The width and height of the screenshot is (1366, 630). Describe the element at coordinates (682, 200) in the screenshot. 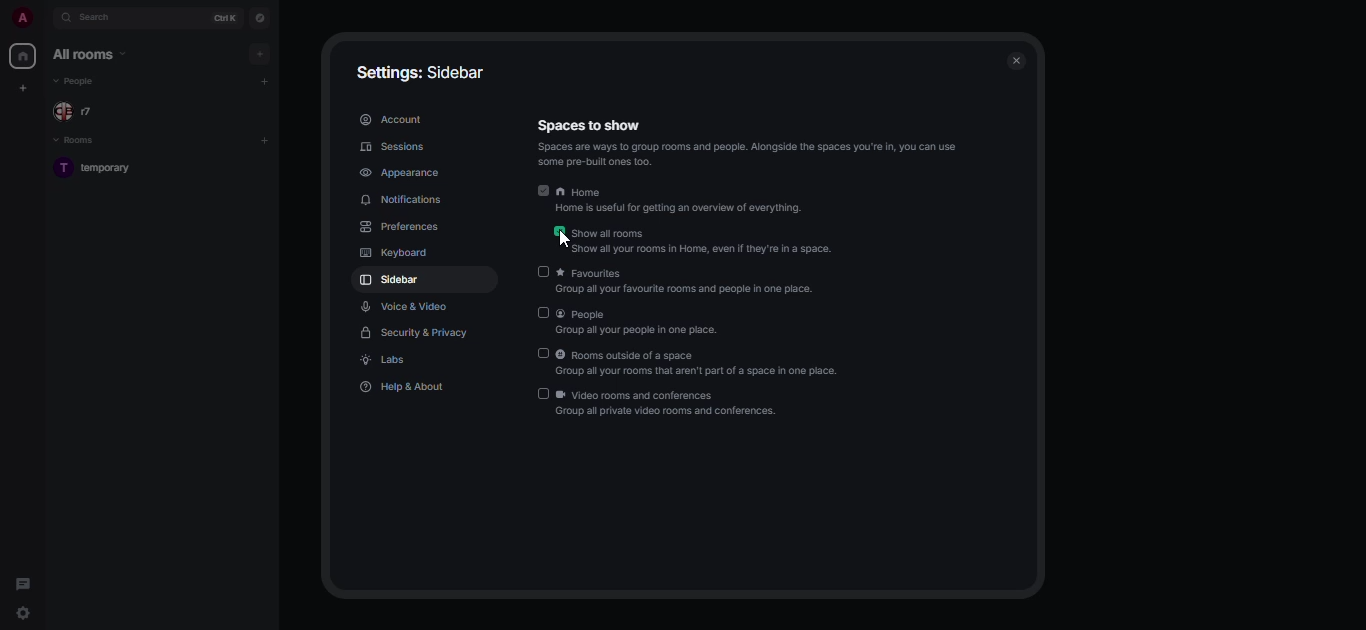

I see `home` at that location.